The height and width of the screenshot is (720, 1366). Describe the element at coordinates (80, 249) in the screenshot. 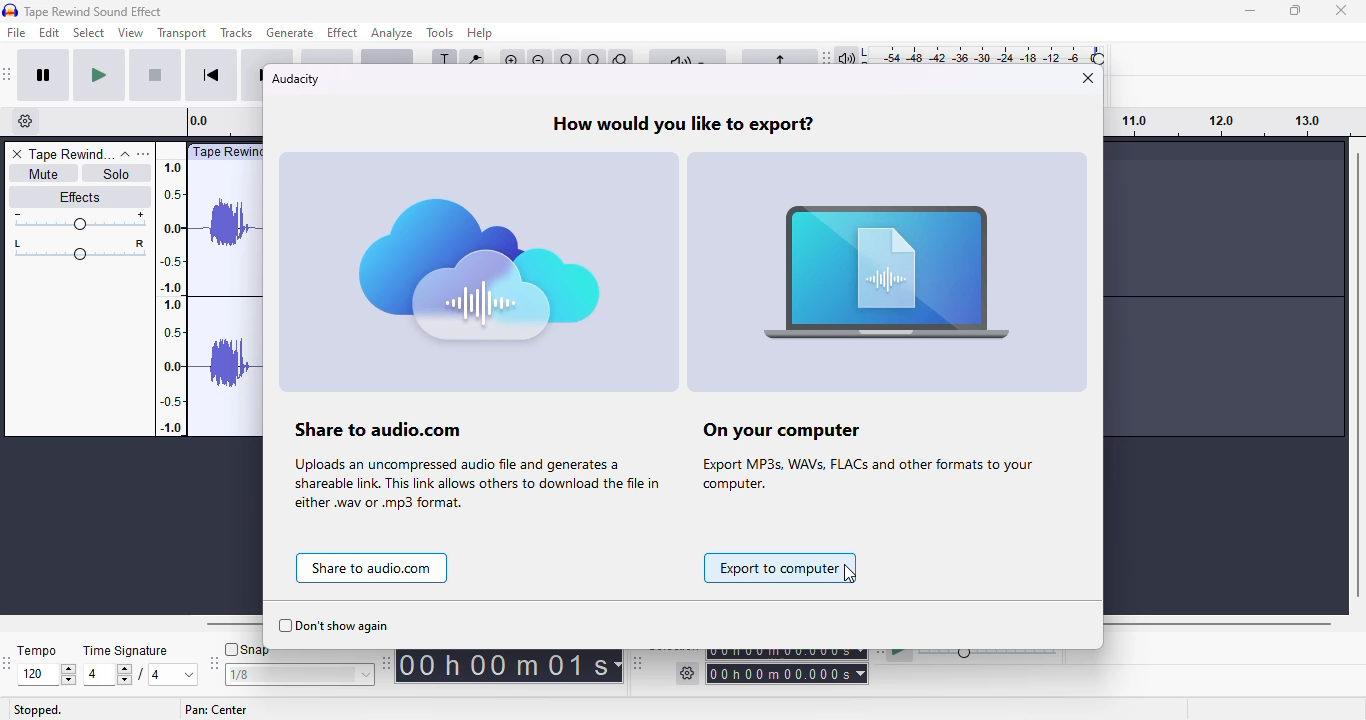

I see `pan: center` at that location.